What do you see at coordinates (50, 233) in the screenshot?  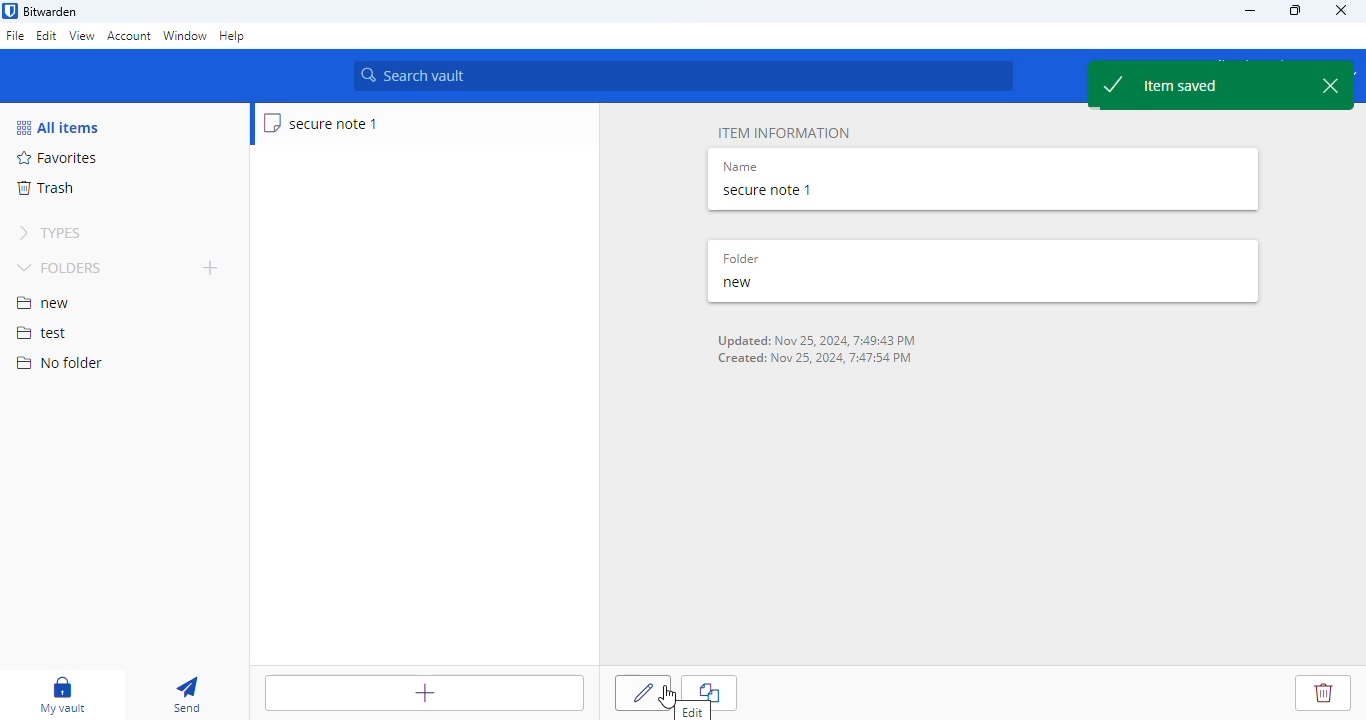 I see `types` at bounding box center [50, 233].